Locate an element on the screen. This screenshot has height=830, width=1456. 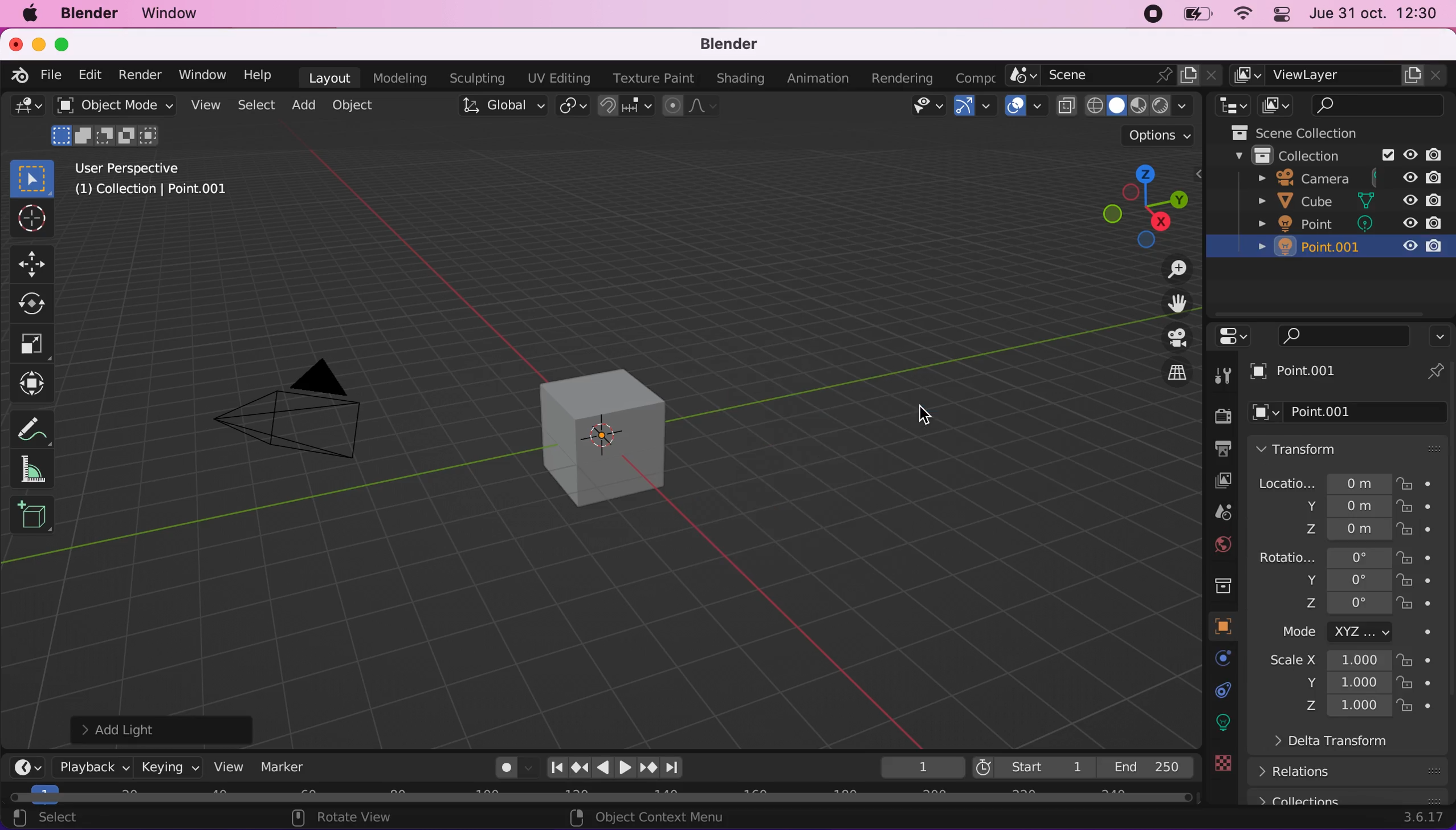
modeling is located at coordinates (401, 77).